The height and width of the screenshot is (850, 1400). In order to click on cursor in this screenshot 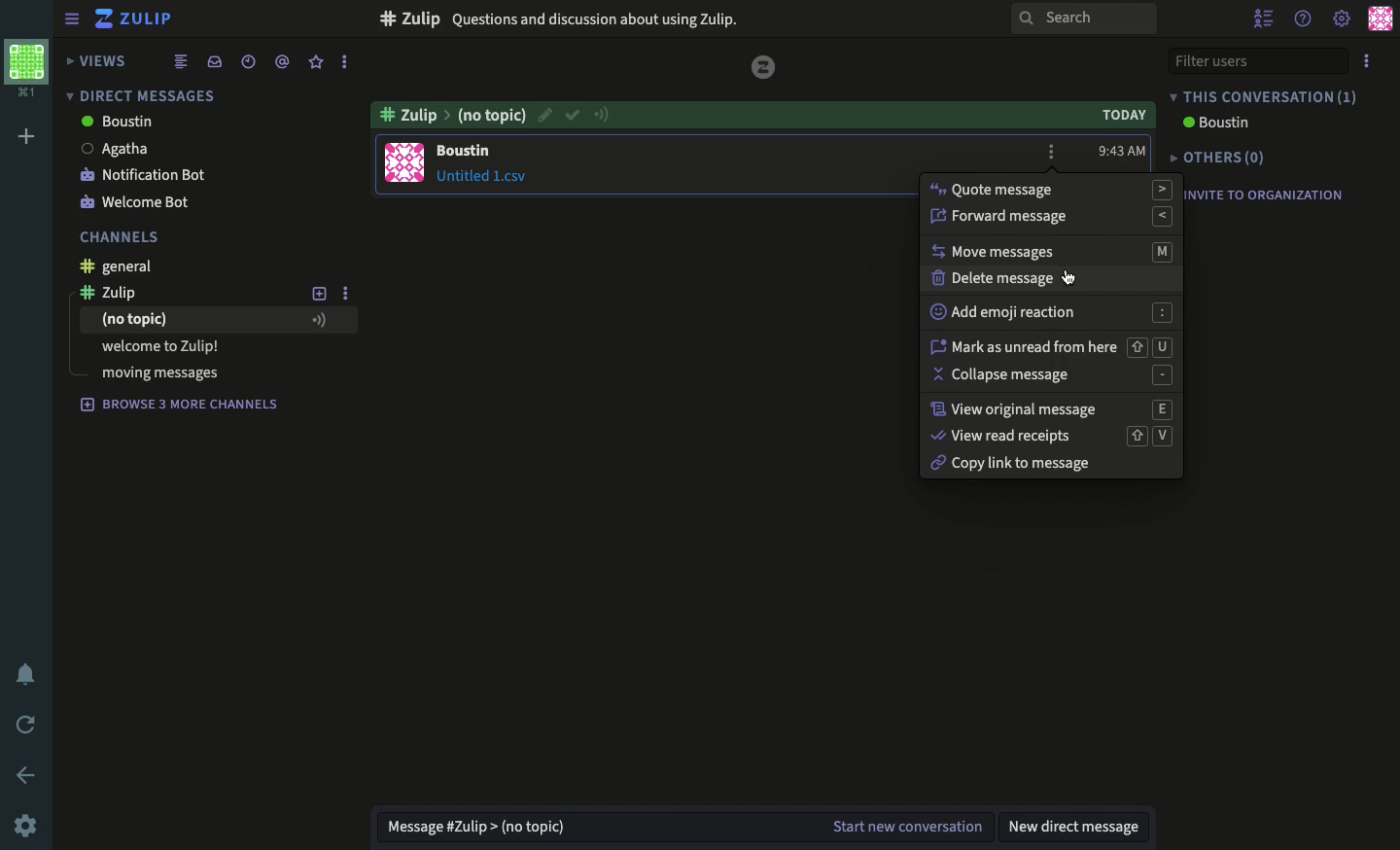, I will do `click(1071, 281)`.